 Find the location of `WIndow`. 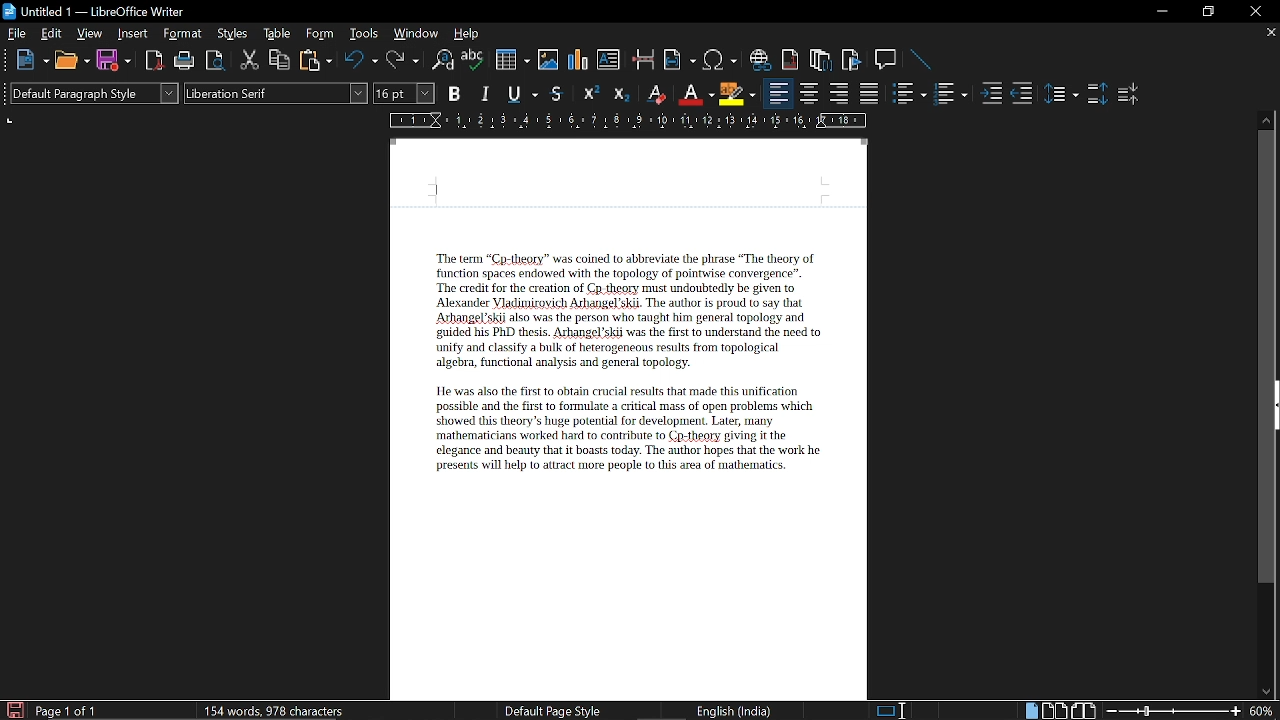

WIndow is located at coordinates (416, 34).